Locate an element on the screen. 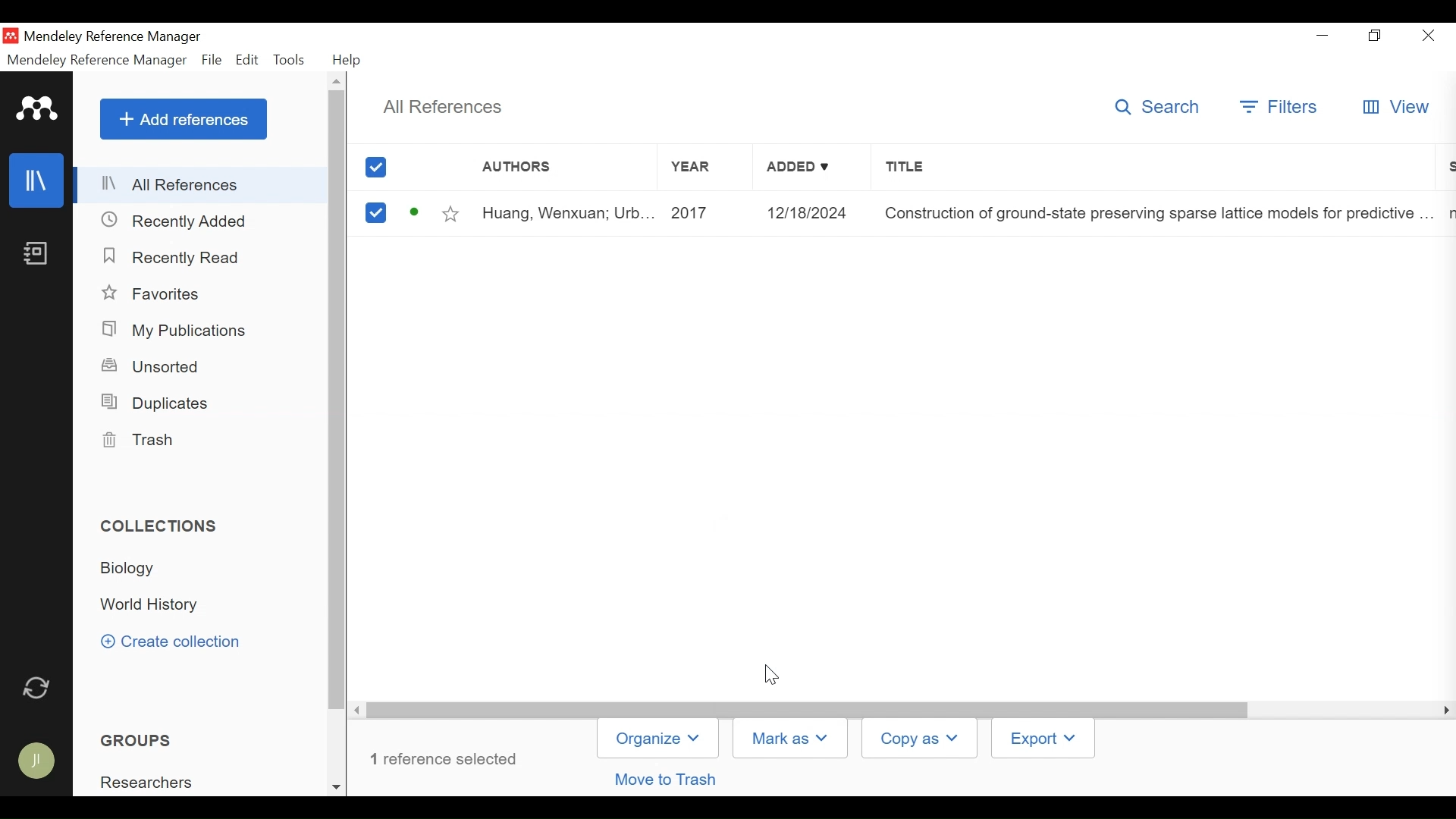 This screenshot has width=1456, height=819. Group is located at coordinates (156, 782).